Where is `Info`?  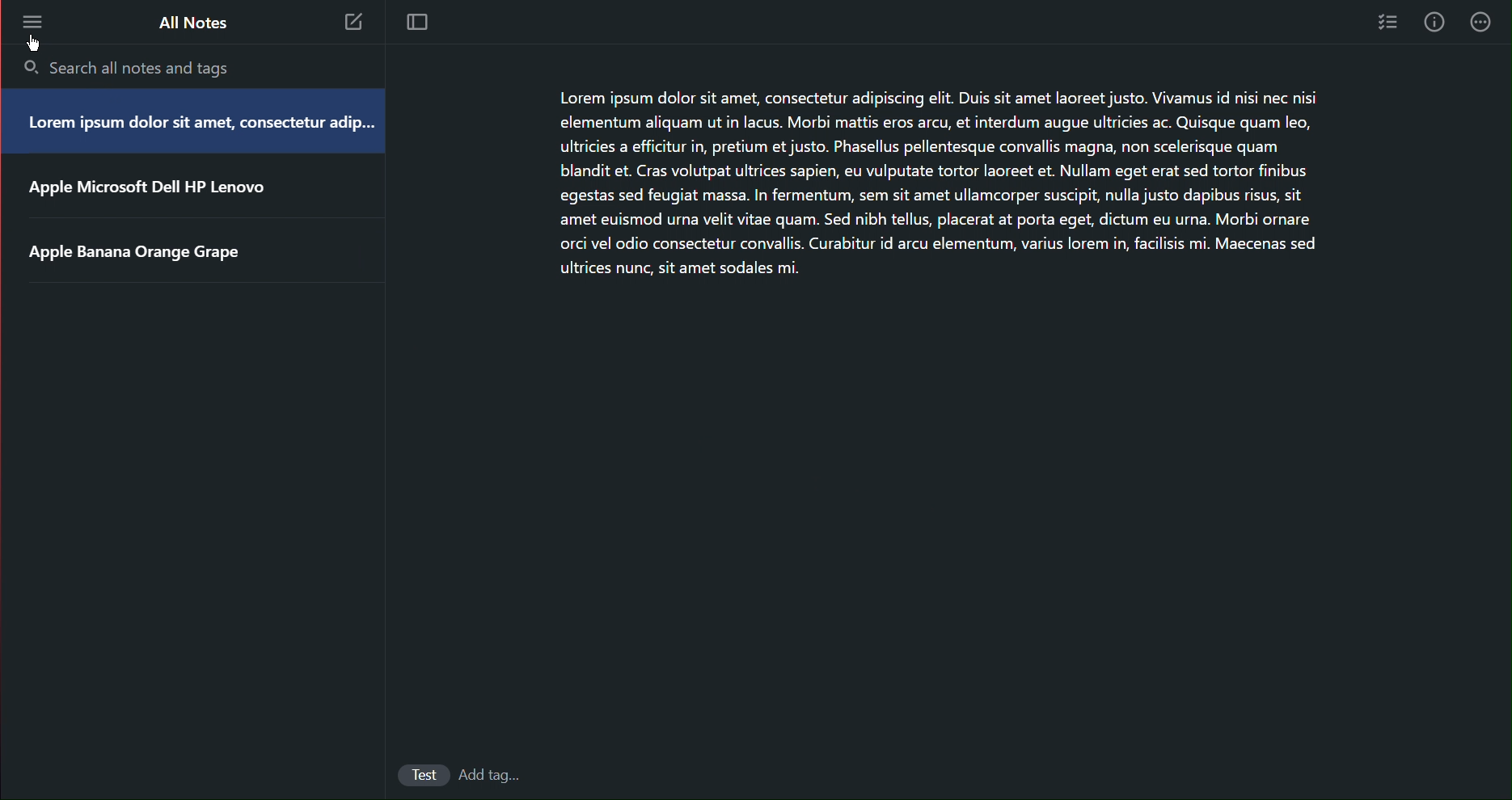 Info is located at coordinates (1435, 23).